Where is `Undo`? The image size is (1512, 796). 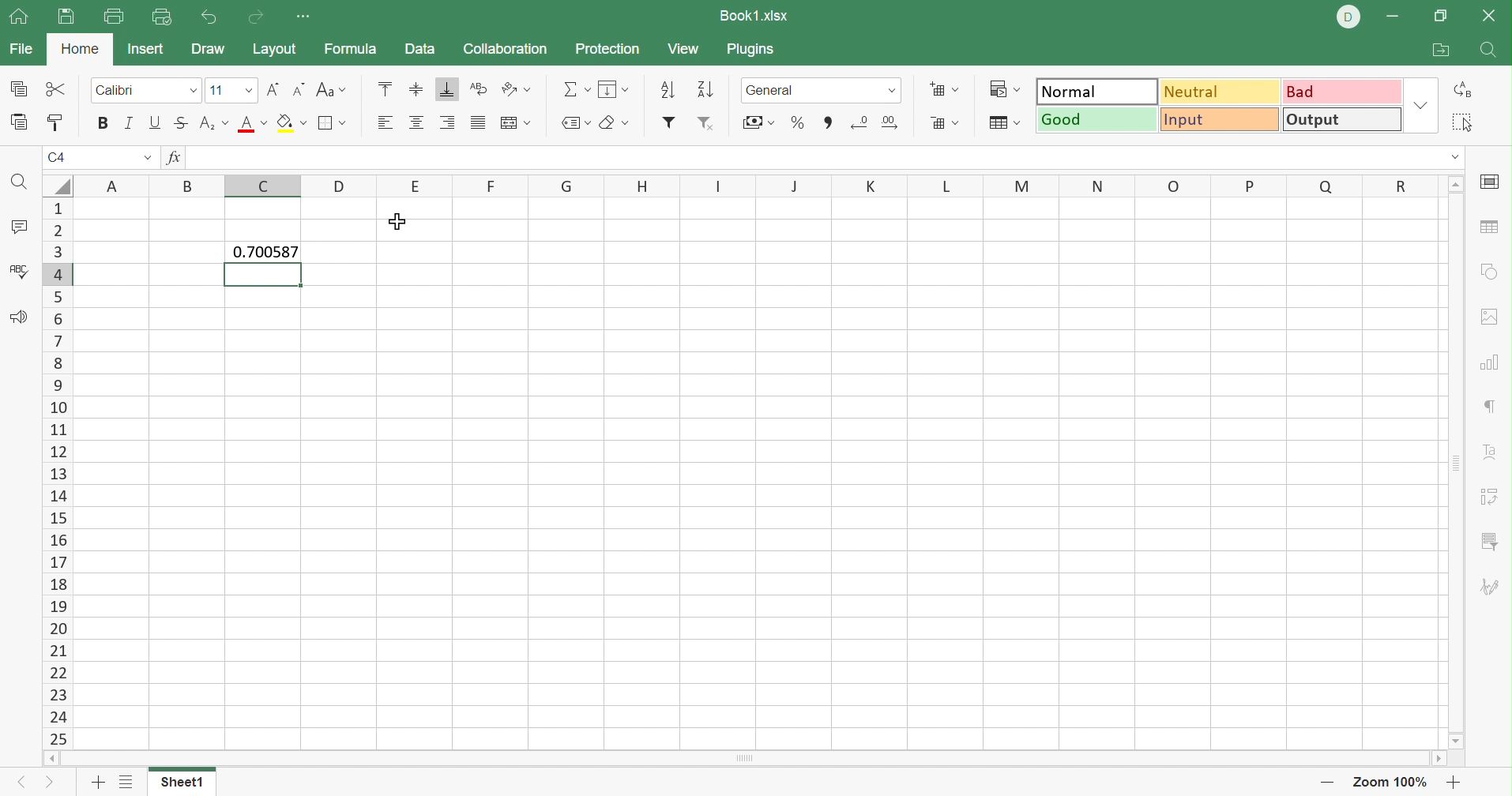
Undo is located at coordinates (213, 19).